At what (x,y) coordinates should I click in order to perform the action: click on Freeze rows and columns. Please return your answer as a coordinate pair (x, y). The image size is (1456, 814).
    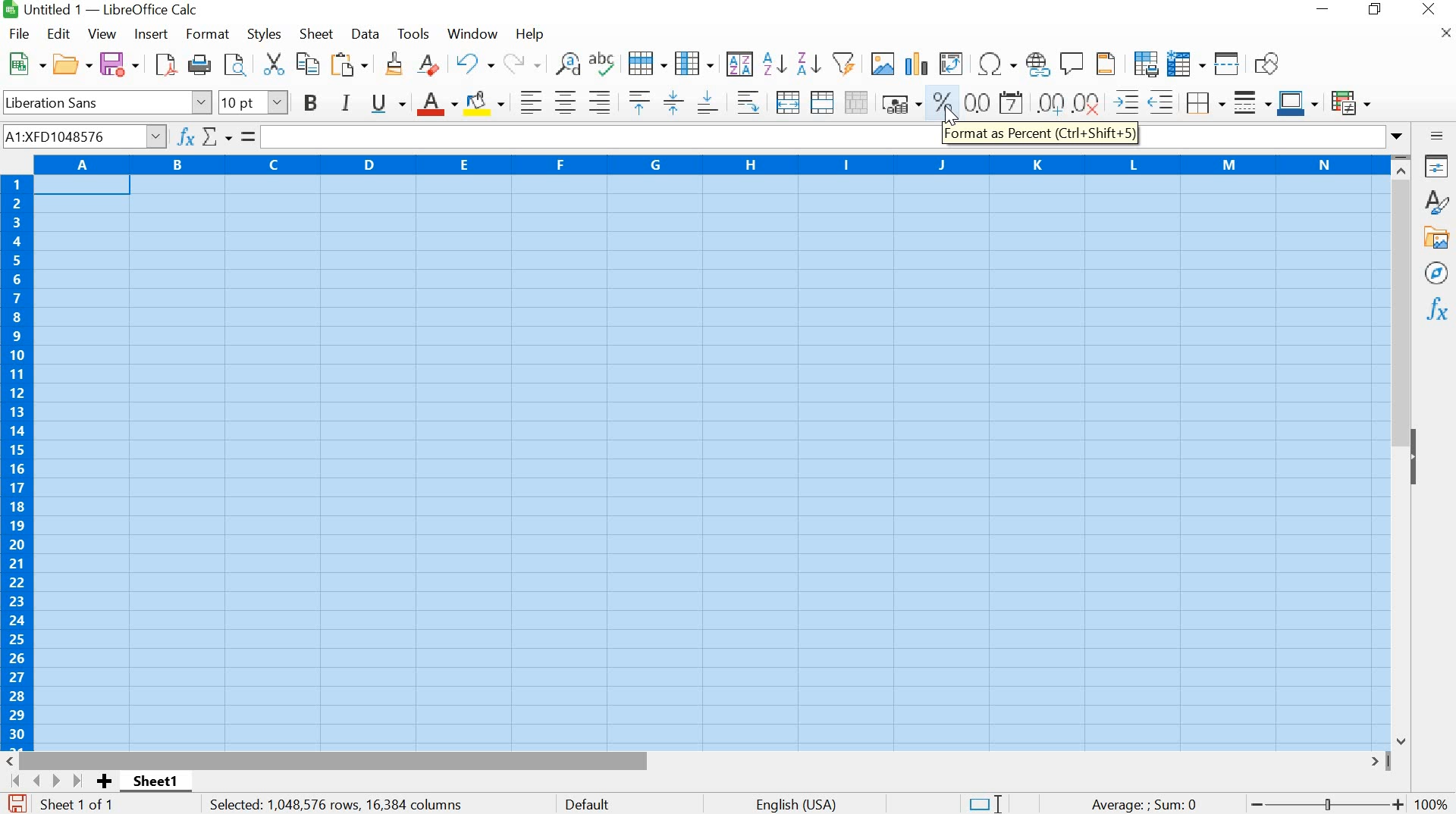
    Looking at the image, I should click on (1185, 64).